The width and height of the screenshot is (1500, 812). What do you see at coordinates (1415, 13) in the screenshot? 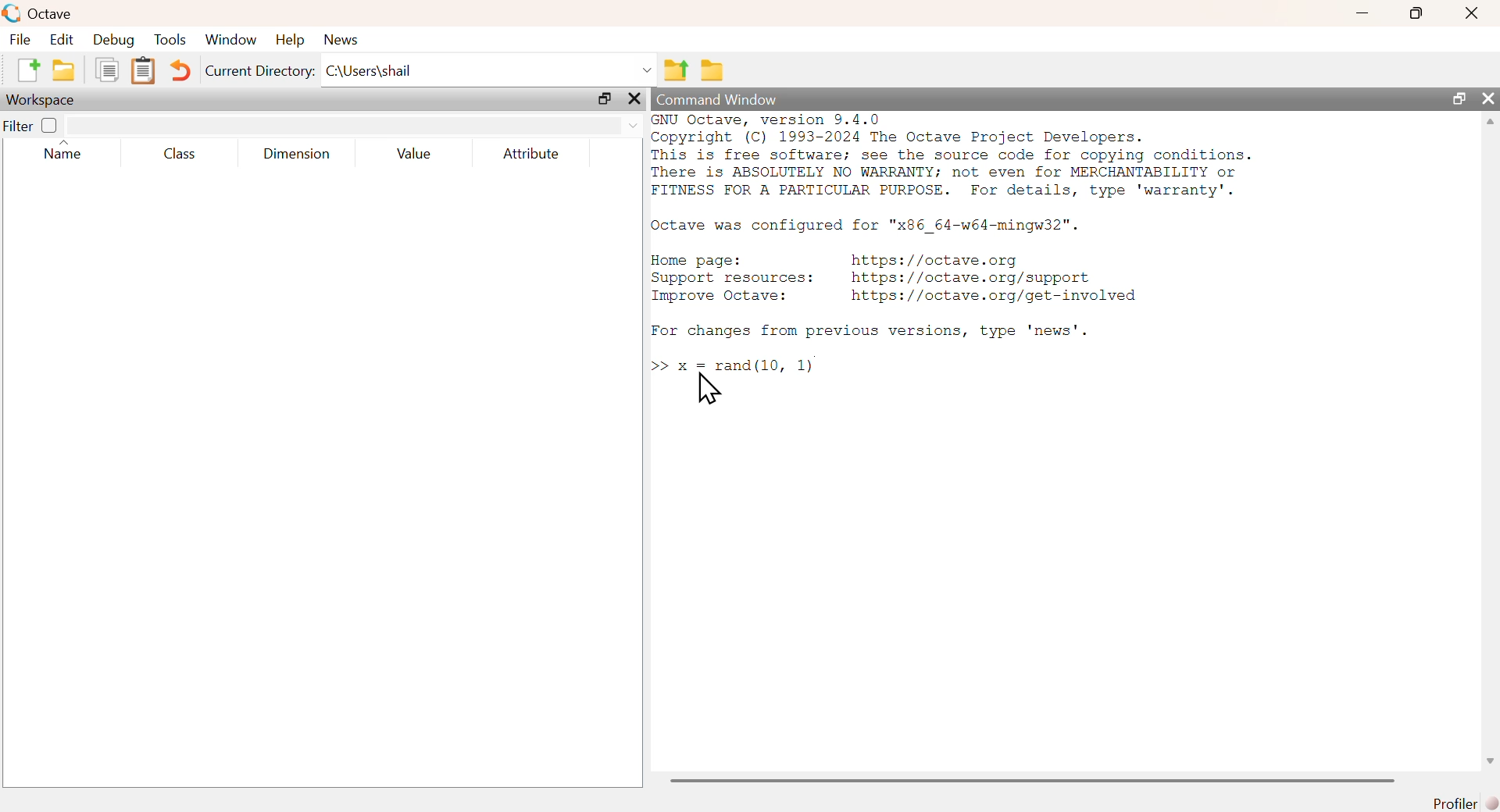
I see `maximize` at bounding box center [1415, 13].